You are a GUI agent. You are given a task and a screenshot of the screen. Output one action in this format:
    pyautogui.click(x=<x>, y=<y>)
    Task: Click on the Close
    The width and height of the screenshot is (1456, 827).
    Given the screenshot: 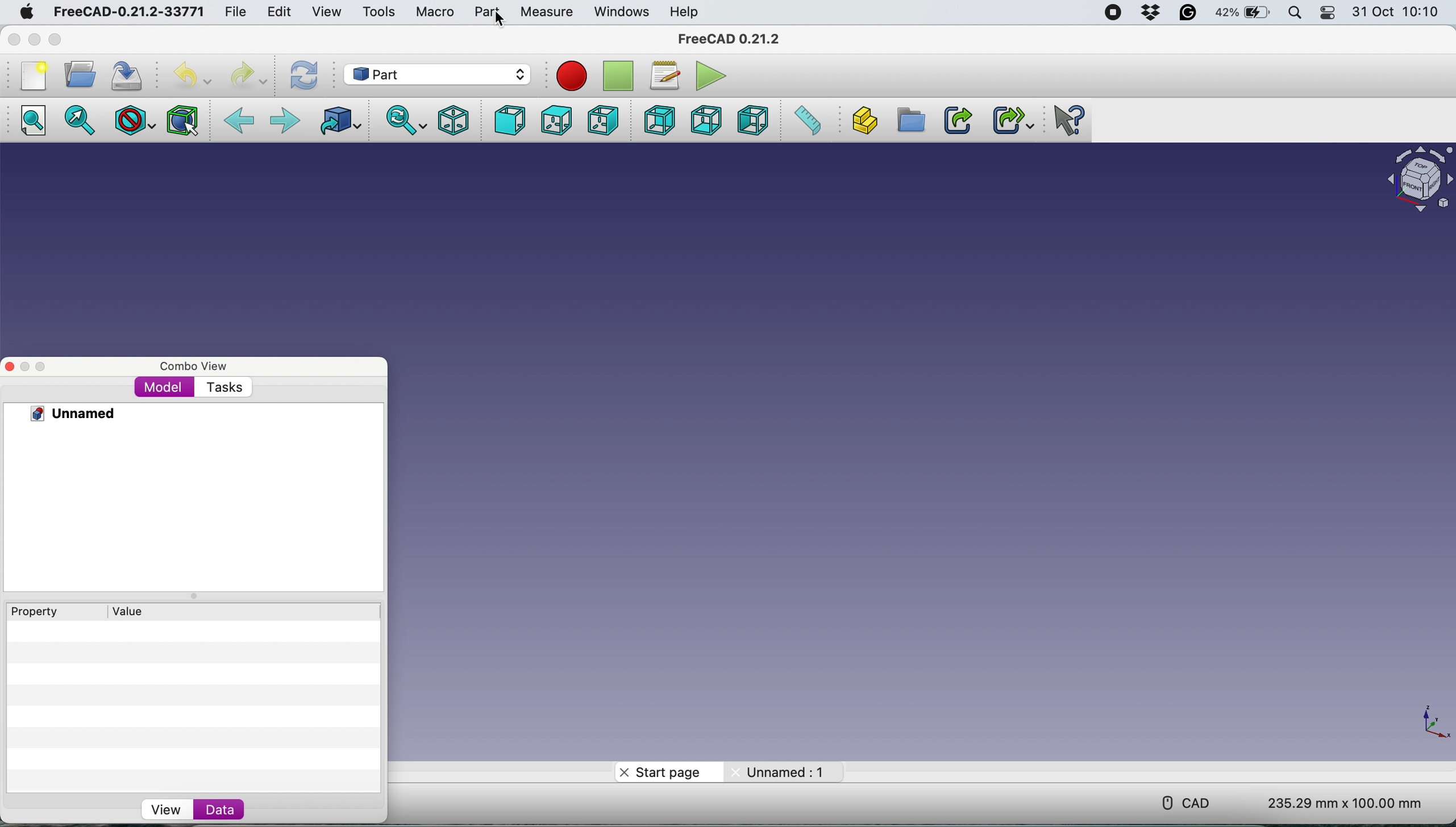 What is the action you would take?
    pyautogui.click(x=10, y=365)
    